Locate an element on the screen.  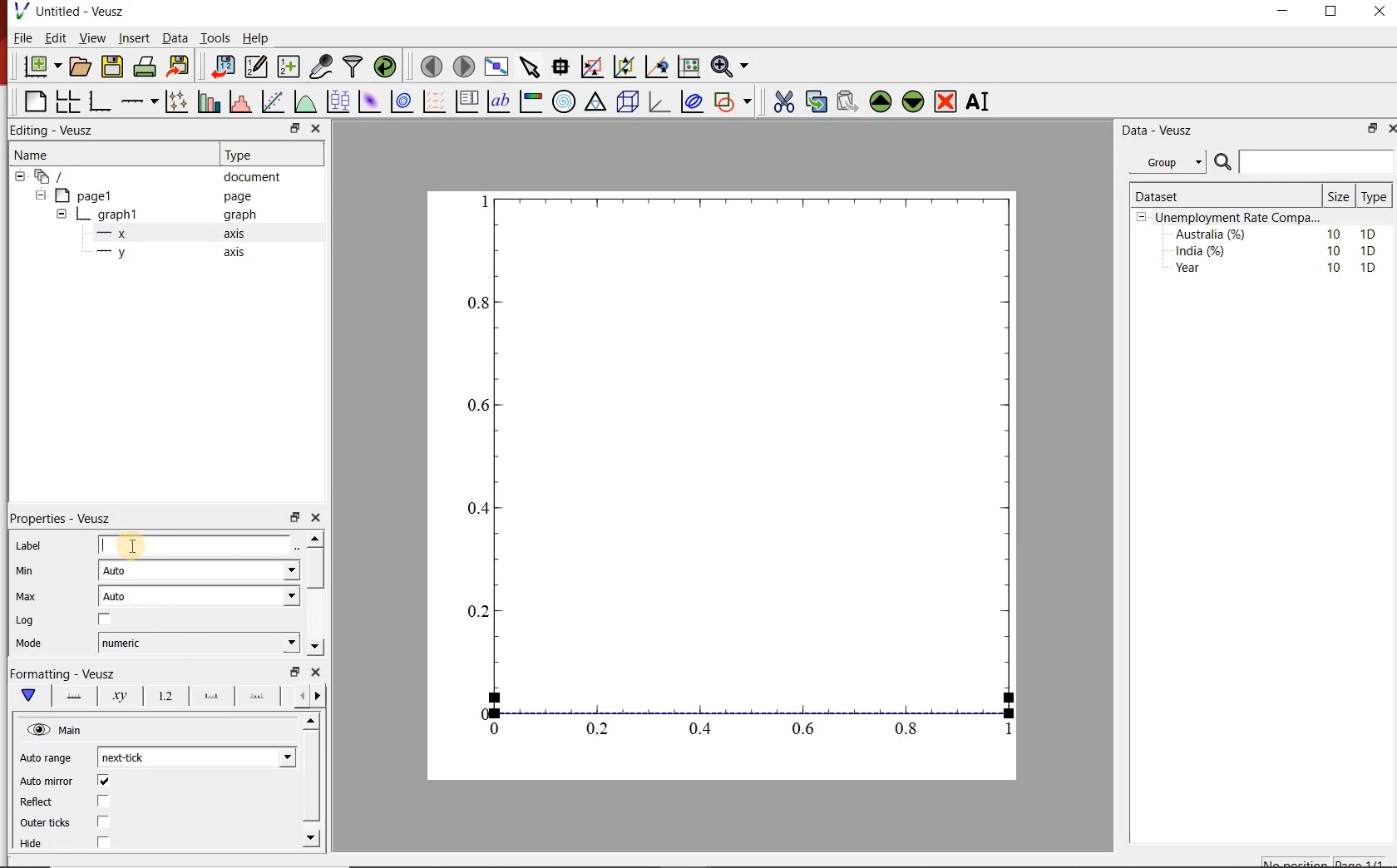
plot a function is located at coordinates (305, 101).